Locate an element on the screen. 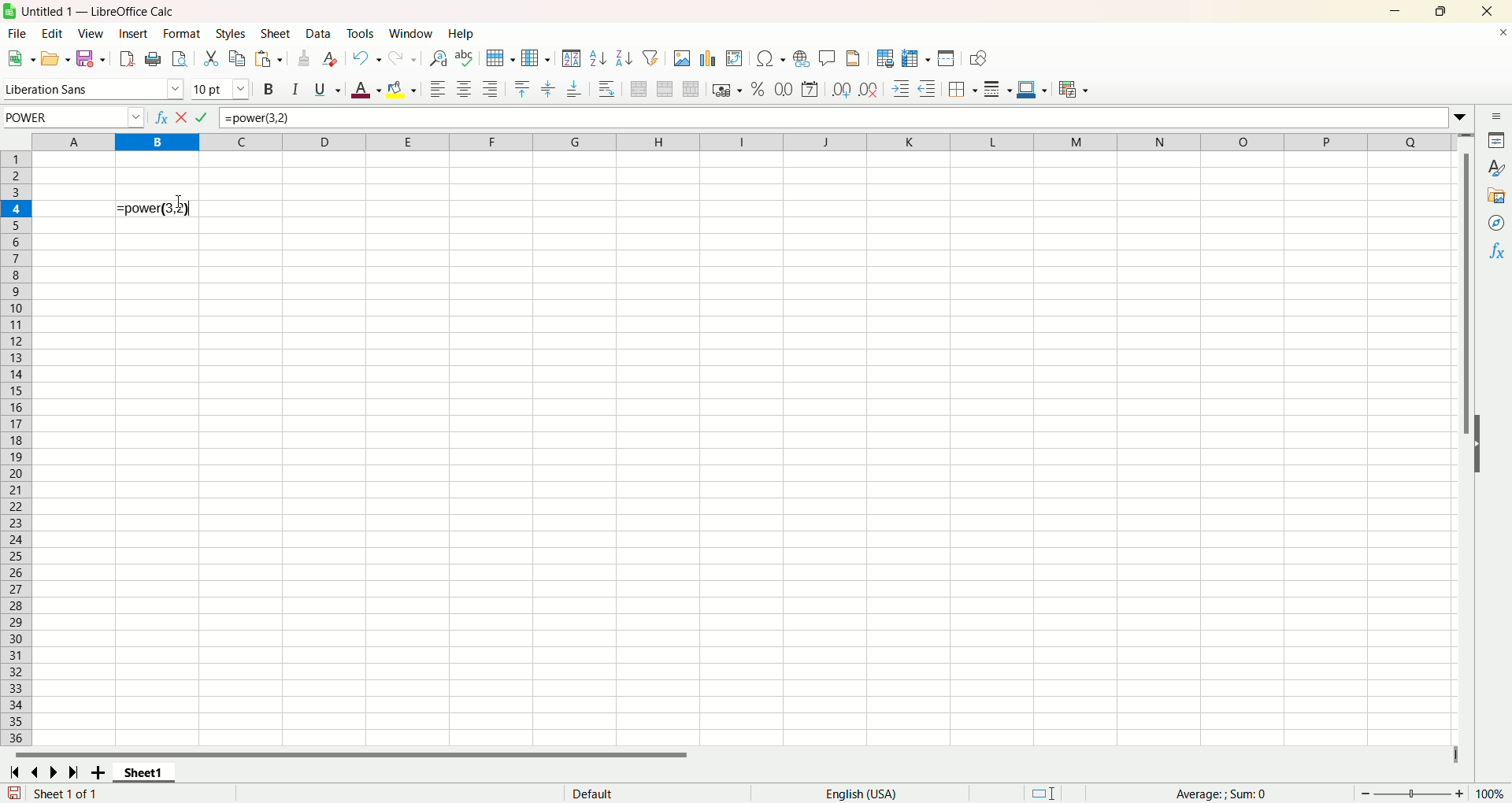  insert hyperlink is located at coordinates (800, 61).